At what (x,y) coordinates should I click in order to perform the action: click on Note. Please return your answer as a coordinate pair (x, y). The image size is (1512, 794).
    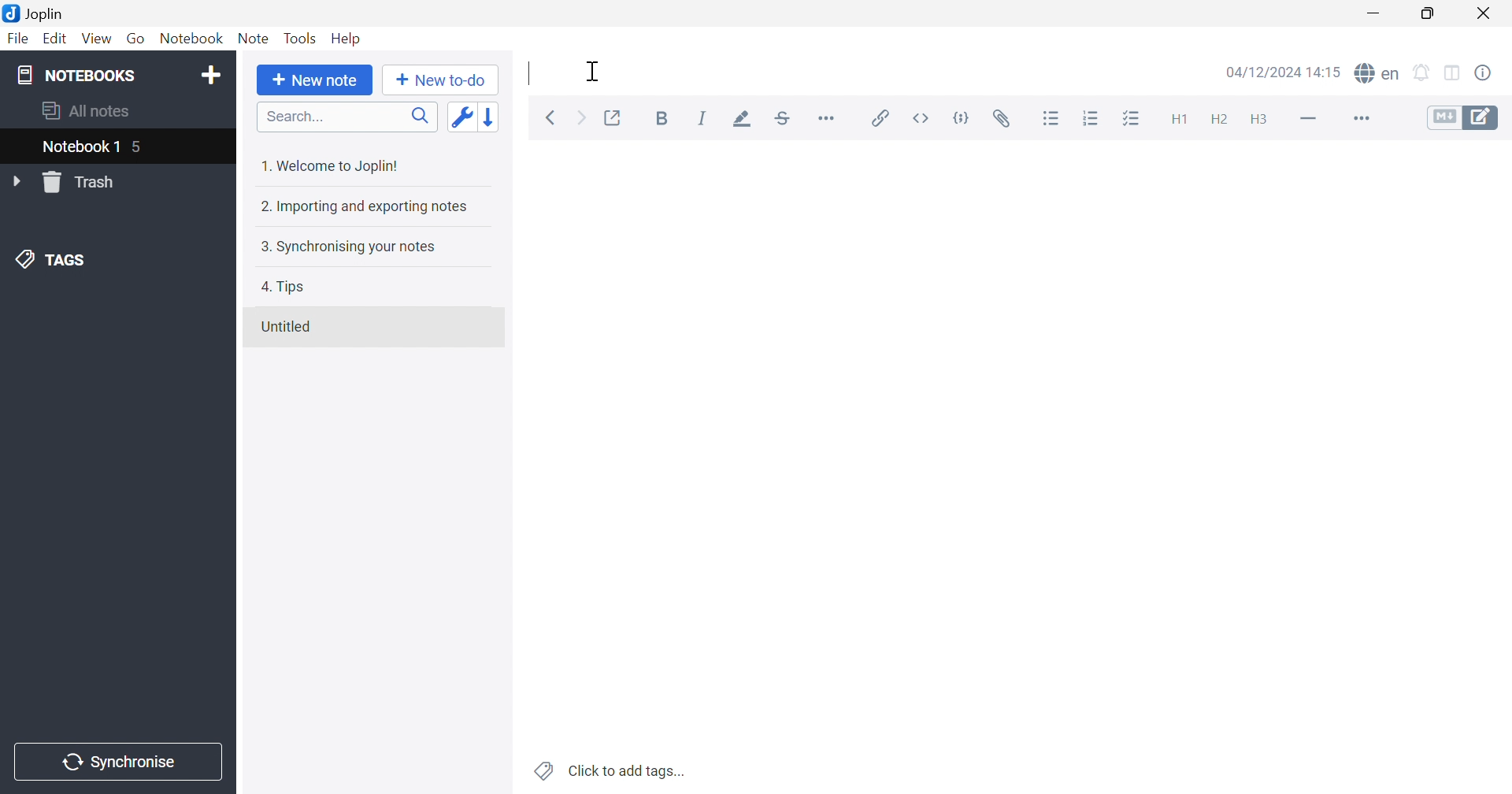
    Looking at the image, I should click on (254, 39).